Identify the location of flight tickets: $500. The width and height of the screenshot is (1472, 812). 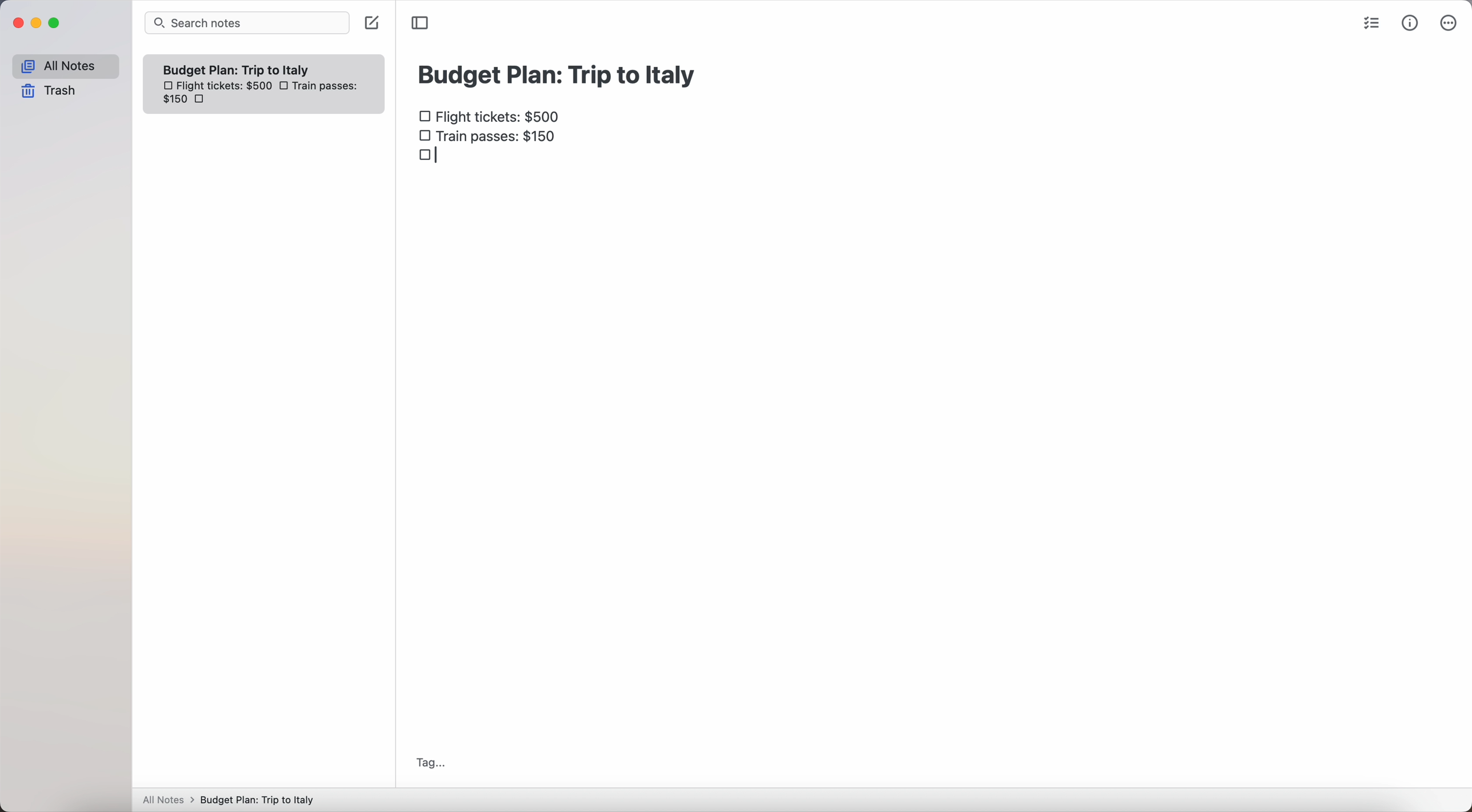
(493, 118).